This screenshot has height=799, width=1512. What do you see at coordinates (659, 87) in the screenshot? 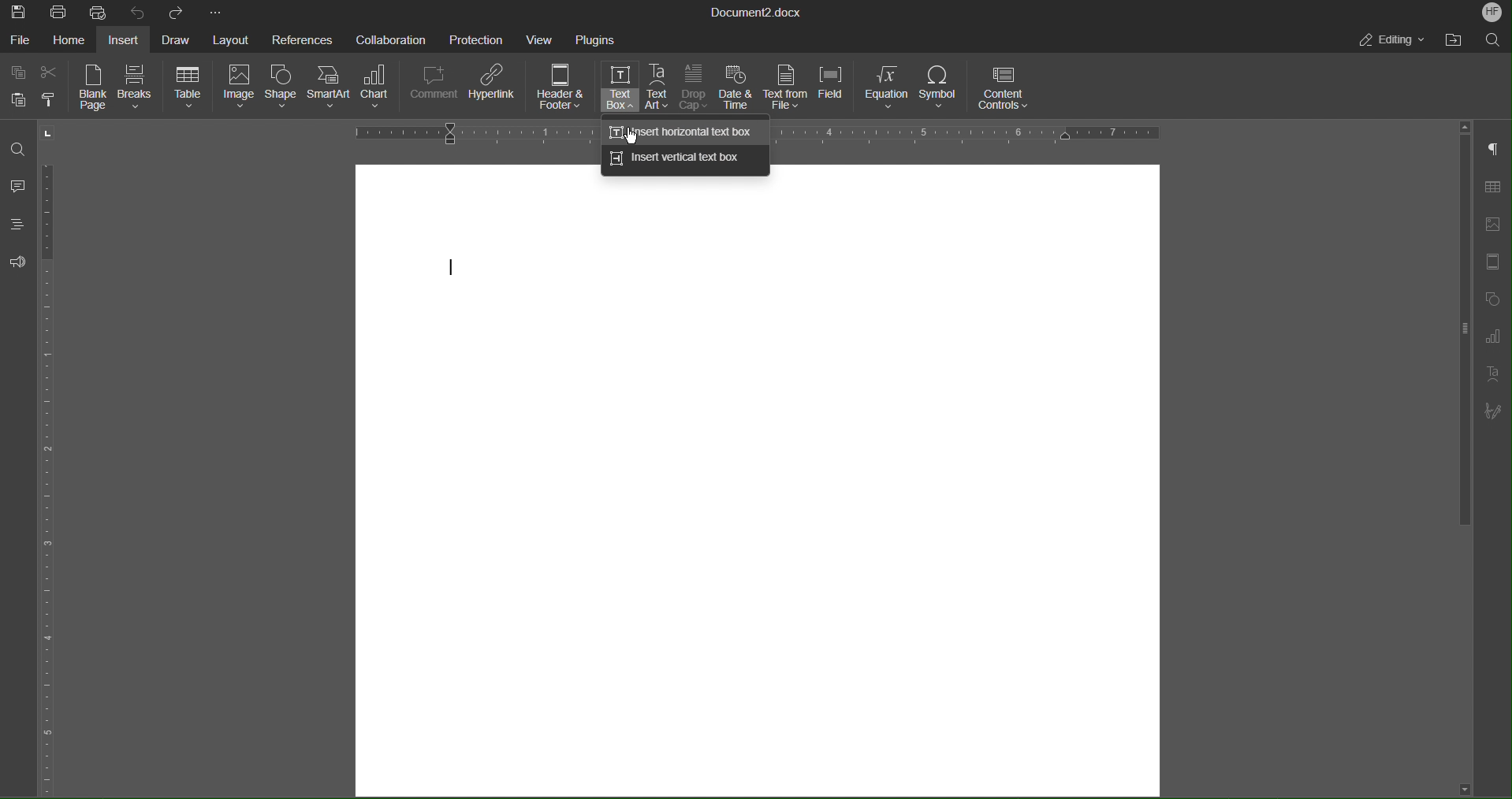
I see `Text Art` at bounding box center [659, 87].